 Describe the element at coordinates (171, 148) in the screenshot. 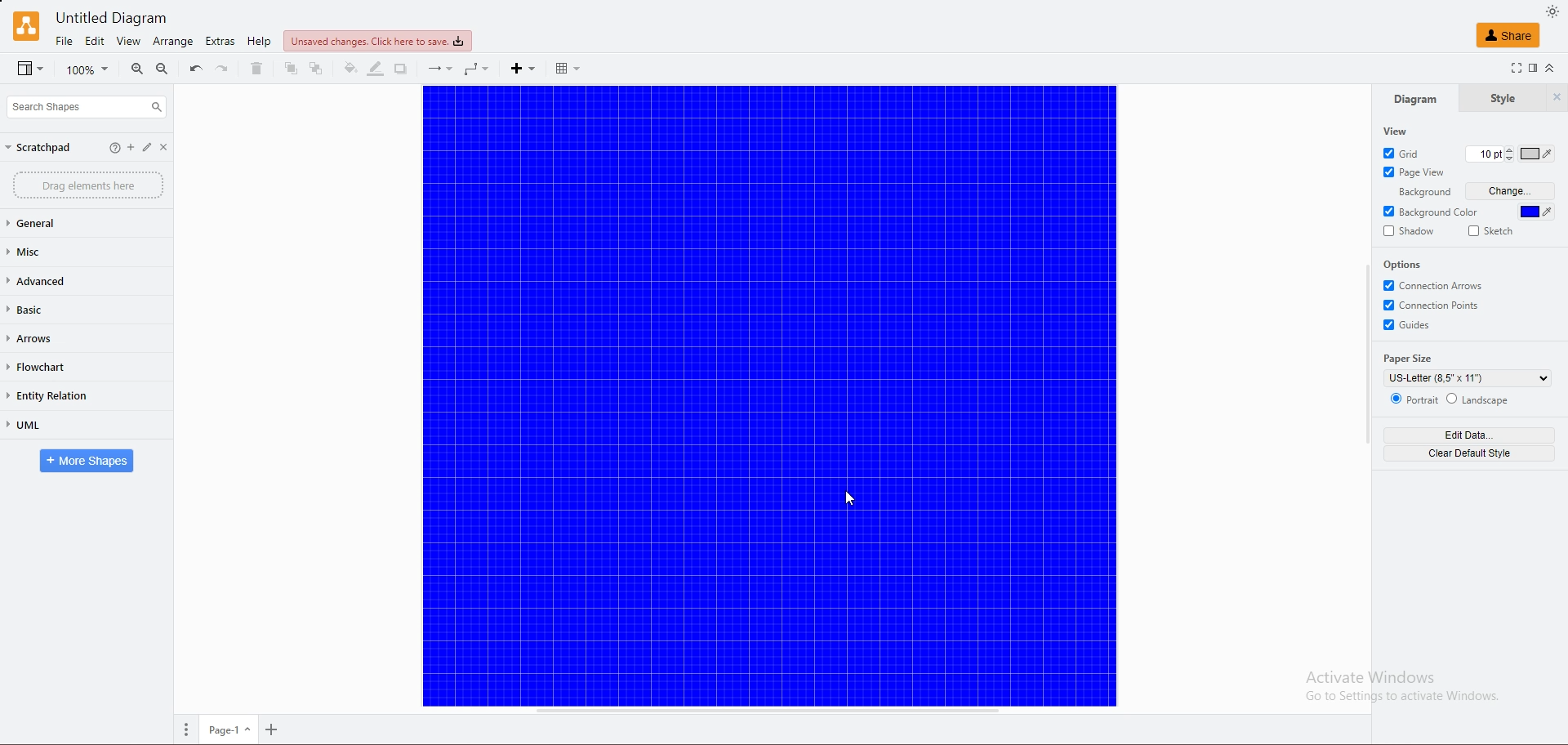

I see `close ` at that location.